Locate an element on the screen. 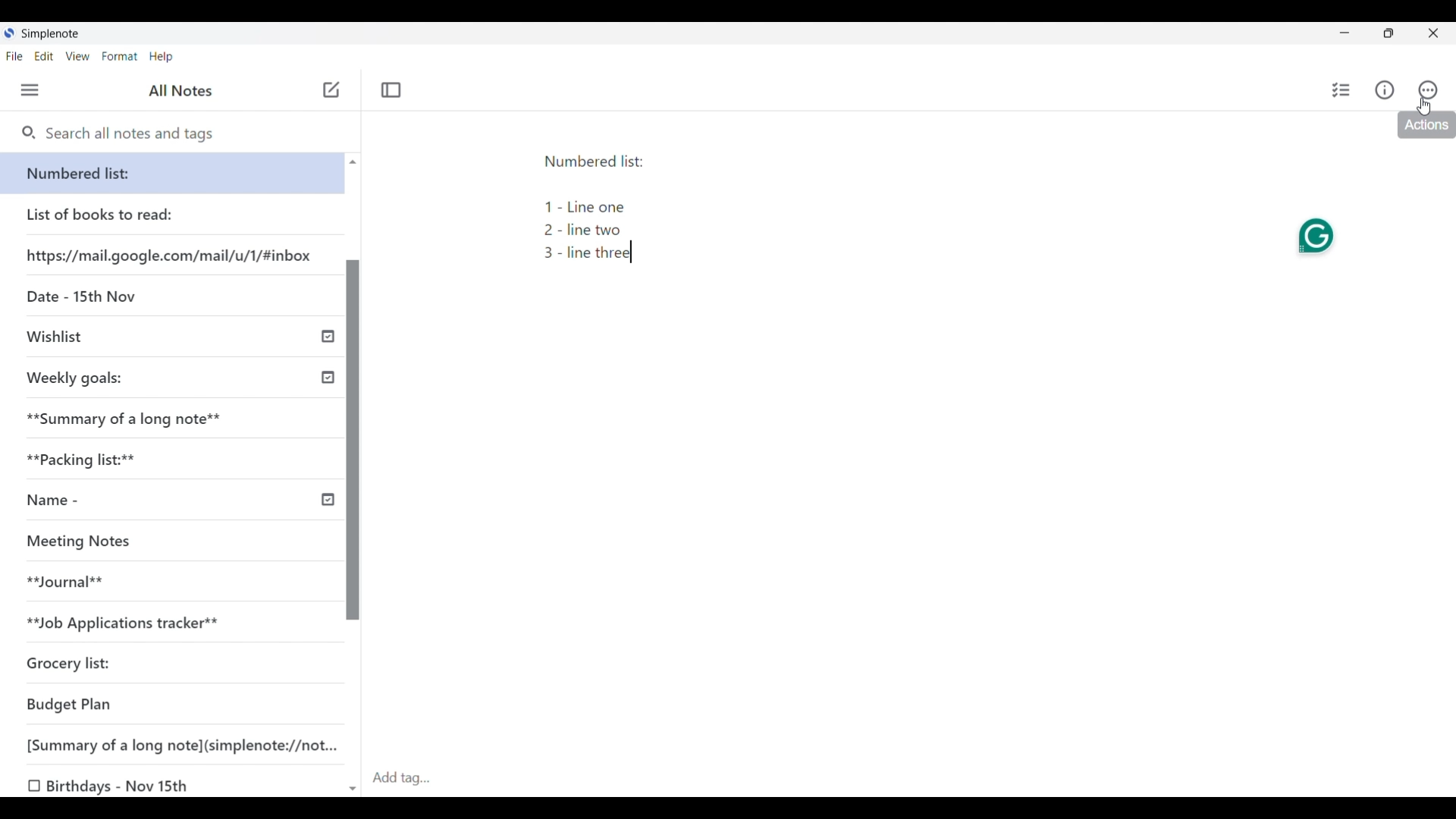 Image resolution: width=1456 pixels, height=819 pixels. Cursor clicking on Actions is located at coordinates (1423, 108).